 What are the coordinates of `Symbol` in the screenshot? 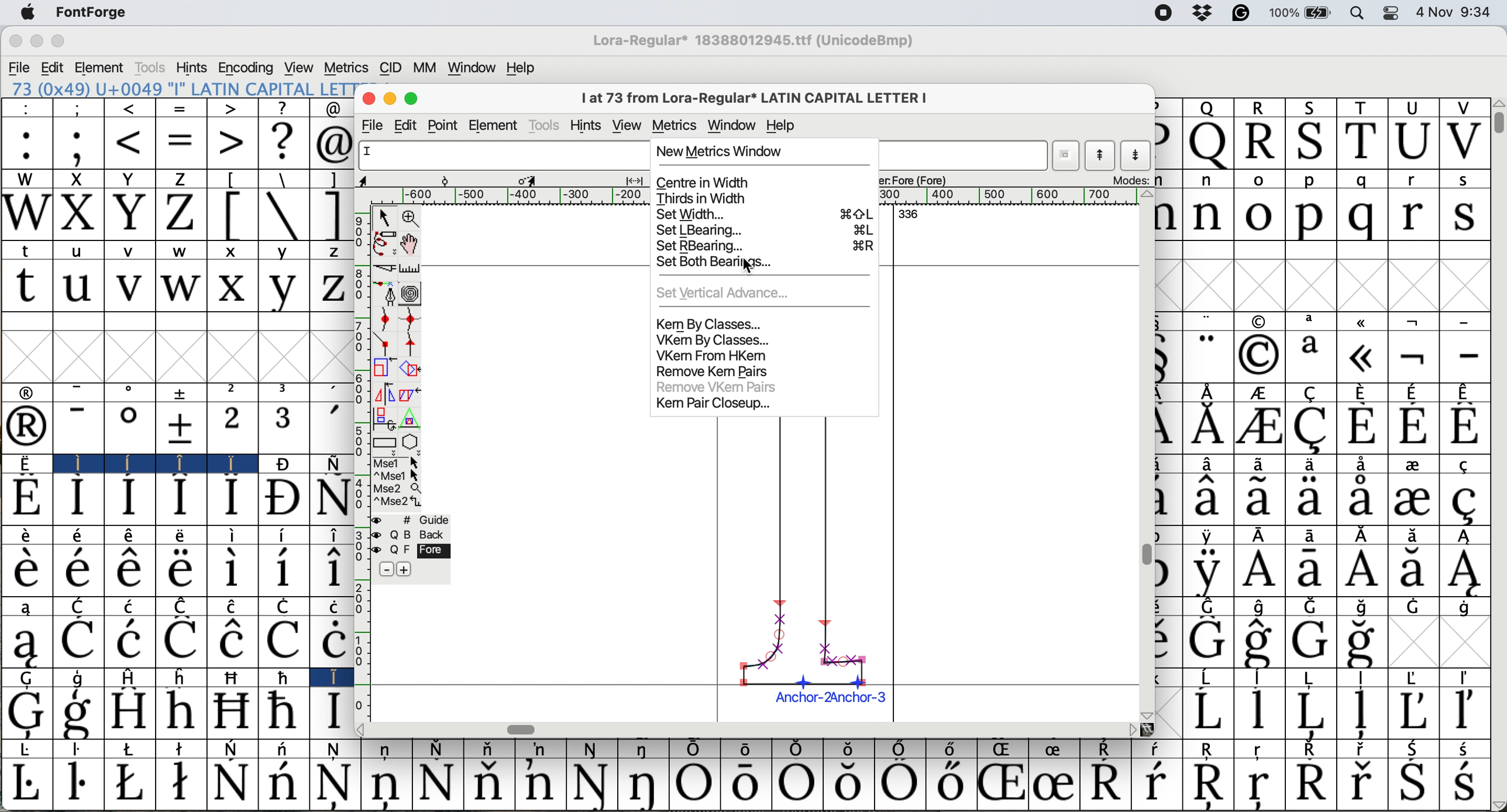 It's located at (330, 571).